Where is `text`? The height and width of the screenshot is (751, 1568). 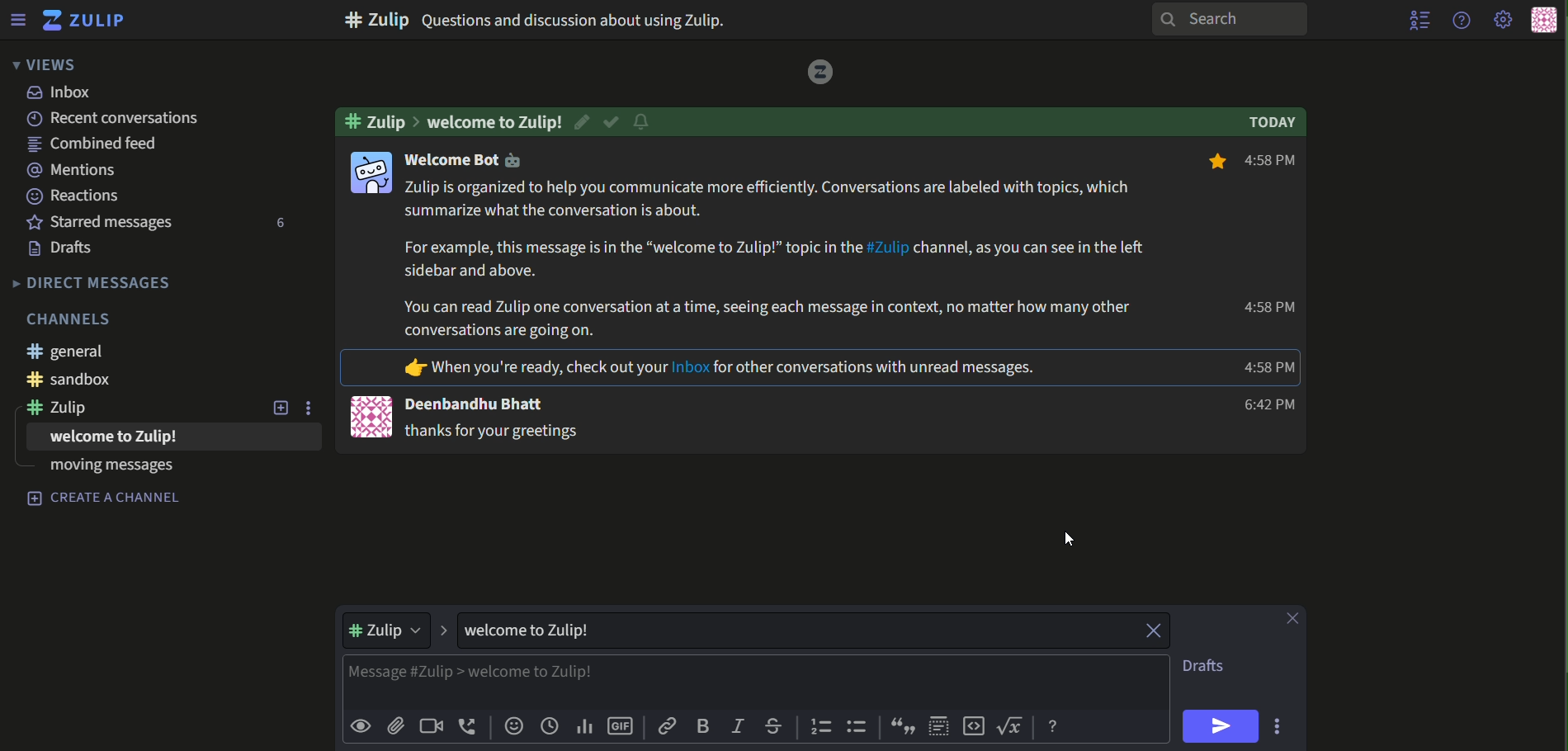 text is located at coordinates (495, 120).